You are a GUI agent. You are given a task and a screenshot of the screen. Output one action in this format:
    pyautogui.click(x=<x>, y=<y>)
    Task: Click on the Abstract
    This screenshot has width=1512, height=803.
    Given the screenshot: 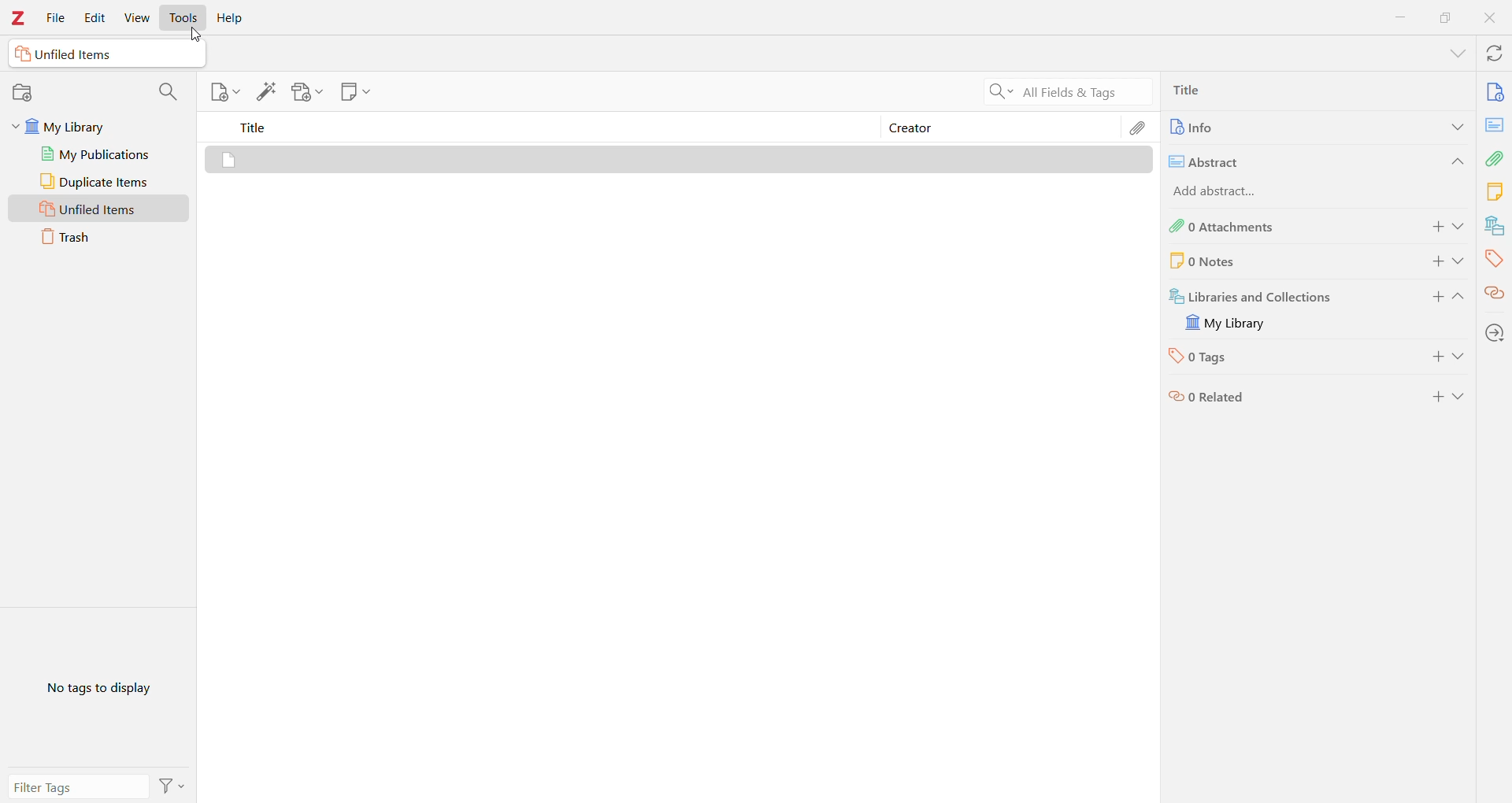 What is the action you would take?
    pyautogui.click(x=1296, y=163)
    